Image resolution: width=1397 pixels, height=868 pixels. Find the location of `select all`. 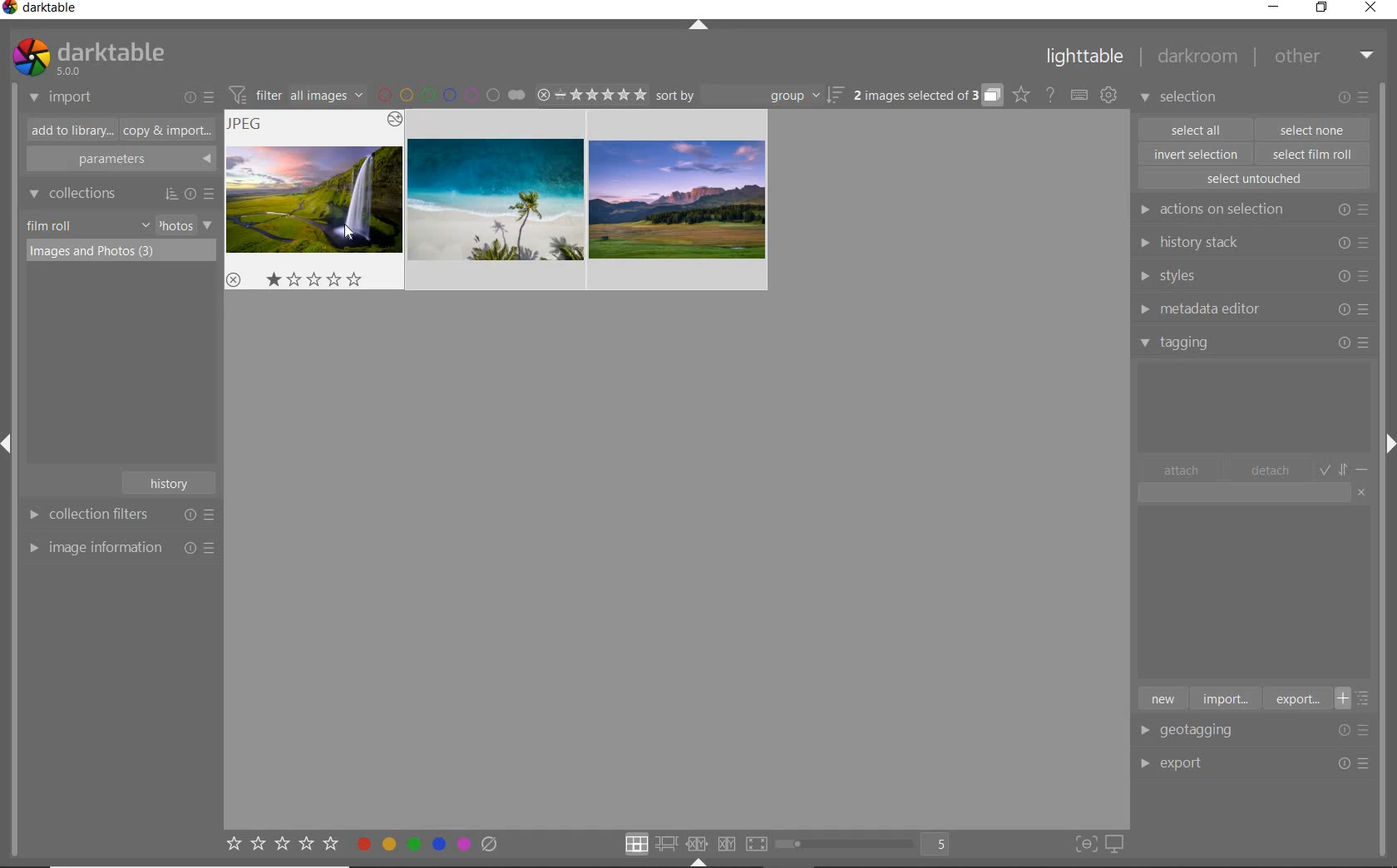

select all is located at coordinates (1196, 128).